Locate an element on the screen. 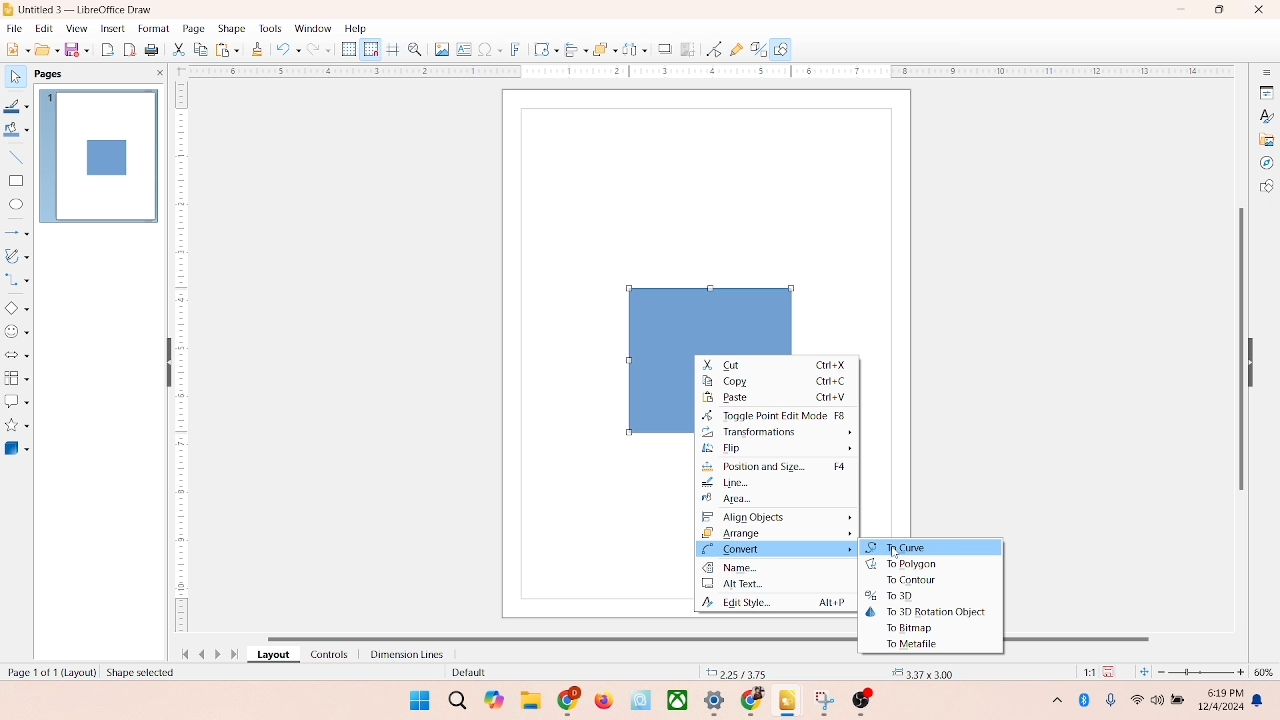 The height and width of the screenshot is (720, 1280). paste is located at coordinates (779, 398).